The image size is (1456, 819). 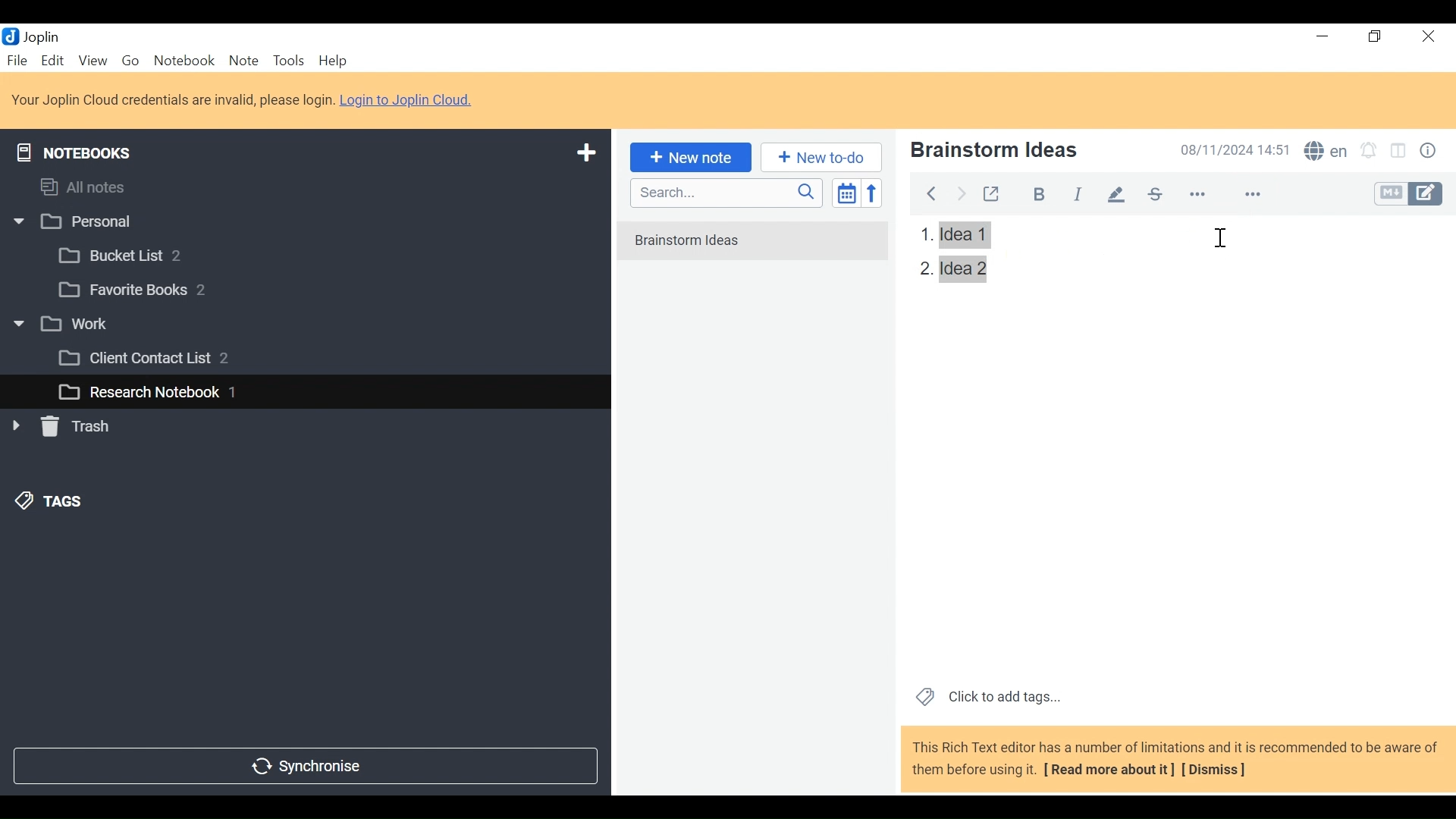 I want to click on [3 Bucket List 2, so click(x=149, y=254).